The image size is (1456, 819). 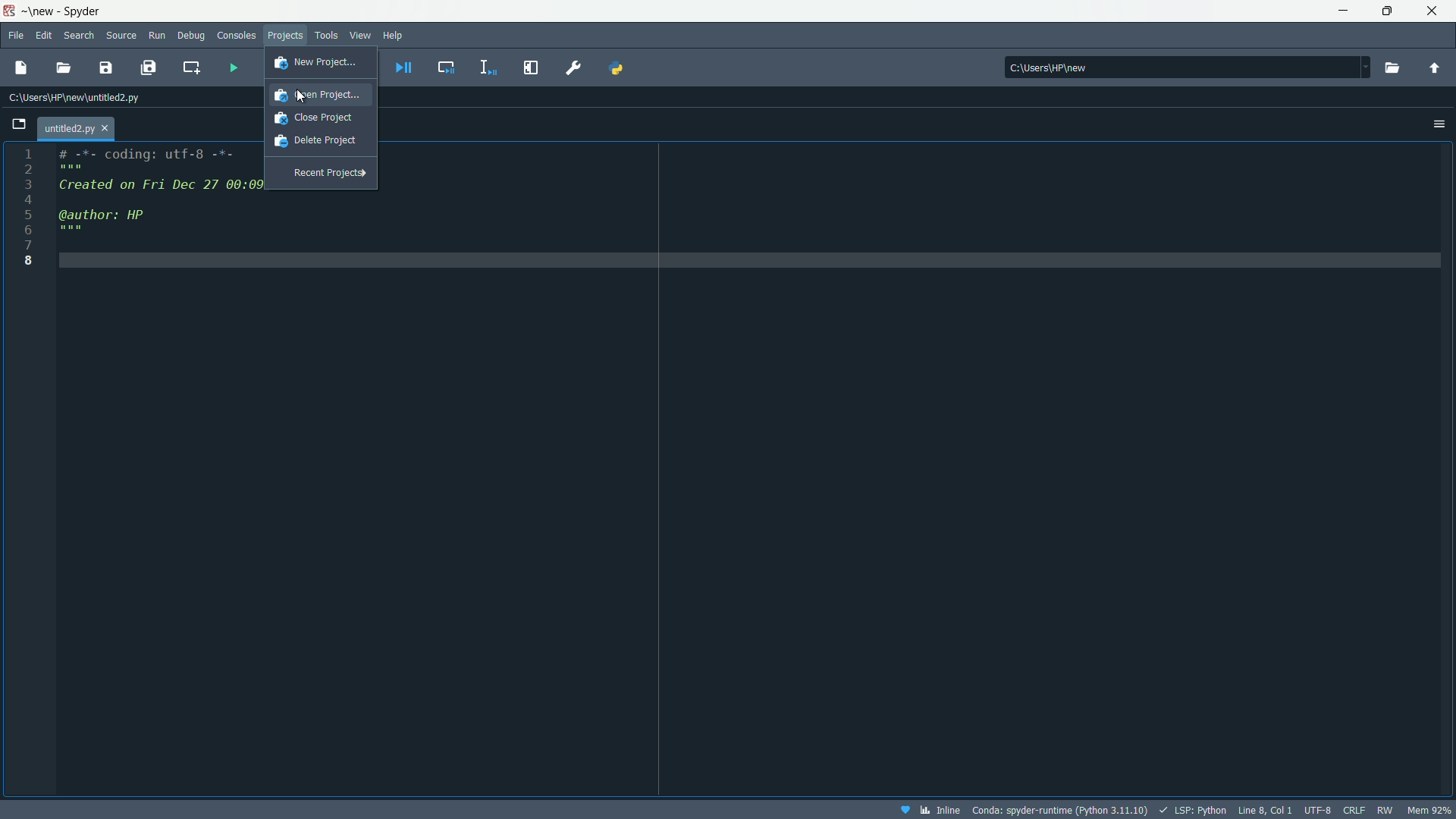 What do you see at coordinates (325, 35) in the screenshot?
I see `Tools` at bounding box center [325, 35].